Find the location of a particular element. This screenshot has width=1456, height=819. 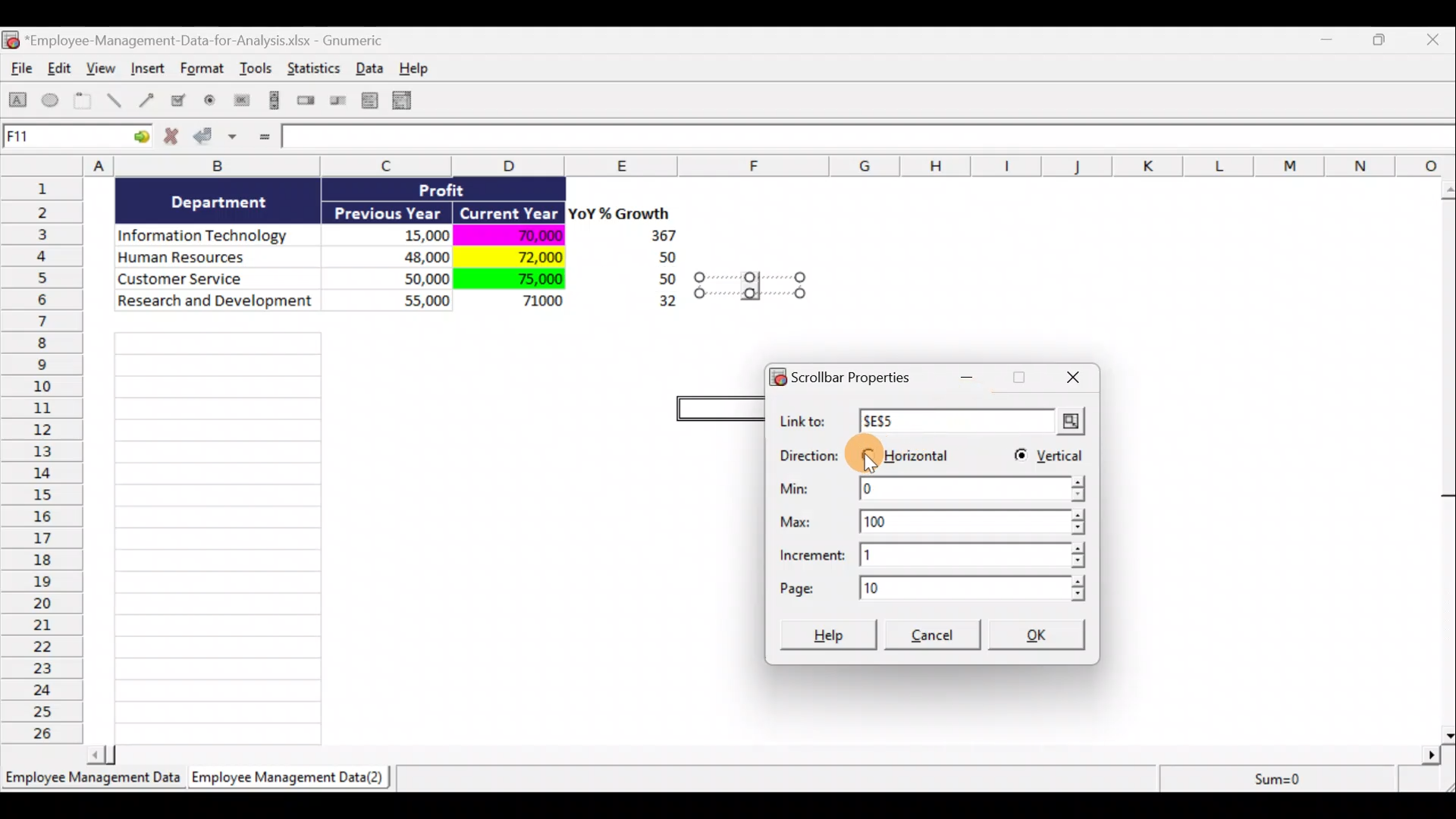

Document name is located at coordinates (201, 42).